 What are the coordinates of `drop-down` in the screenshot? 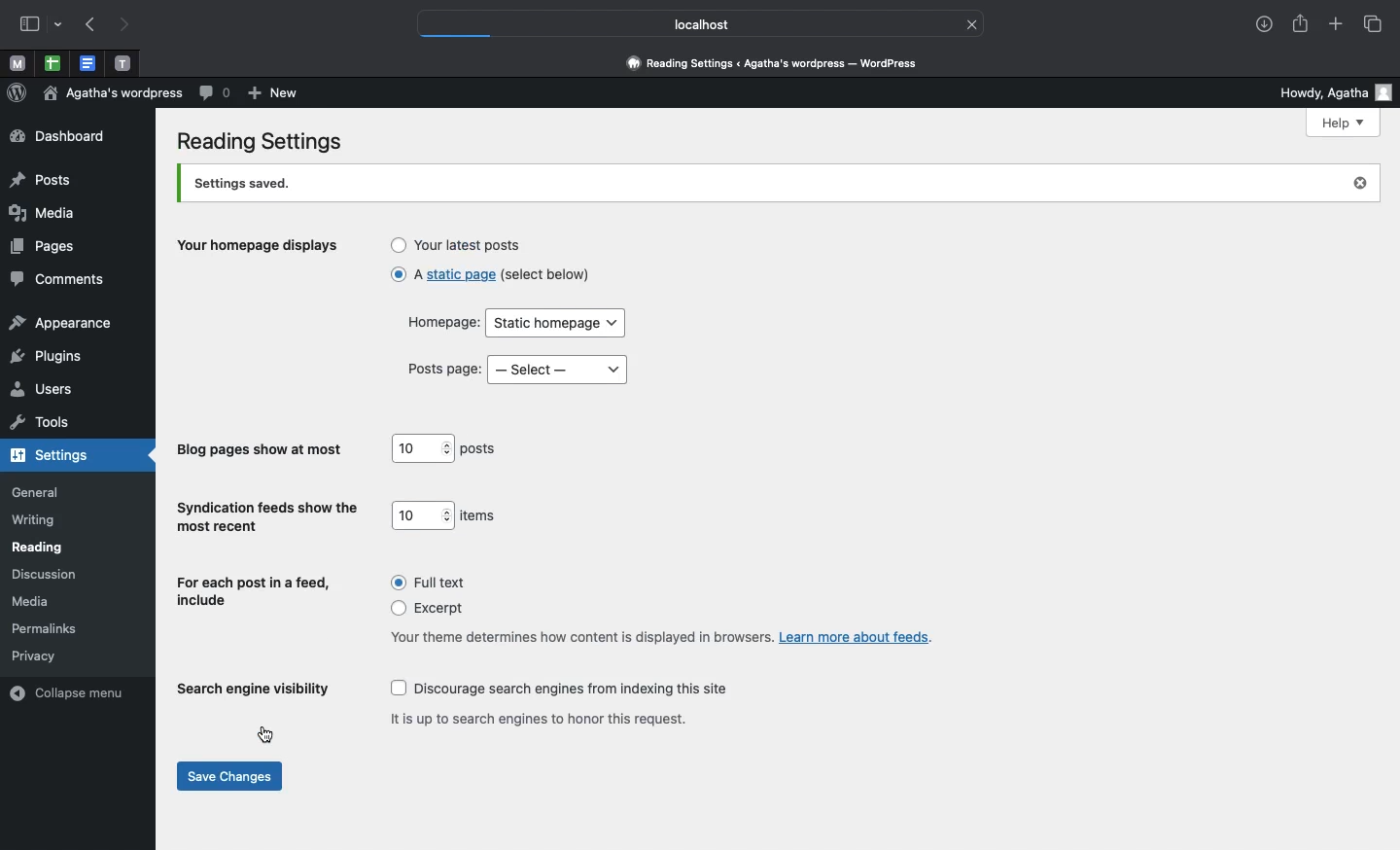 It's located at (61, 21).